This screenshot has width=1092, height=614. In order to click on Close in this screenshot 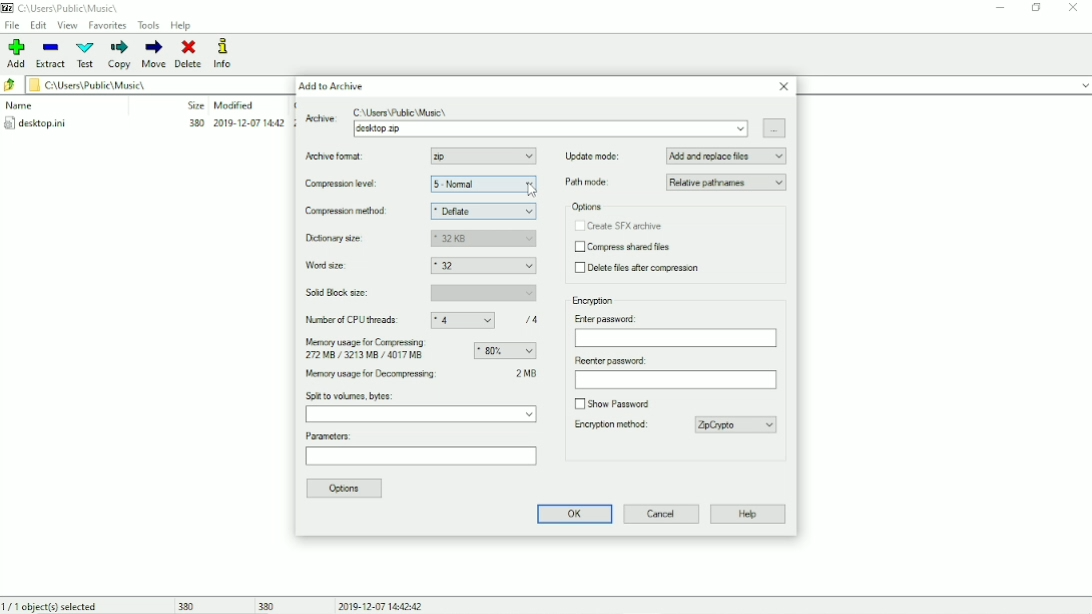, I will do `click(784, 87)`.